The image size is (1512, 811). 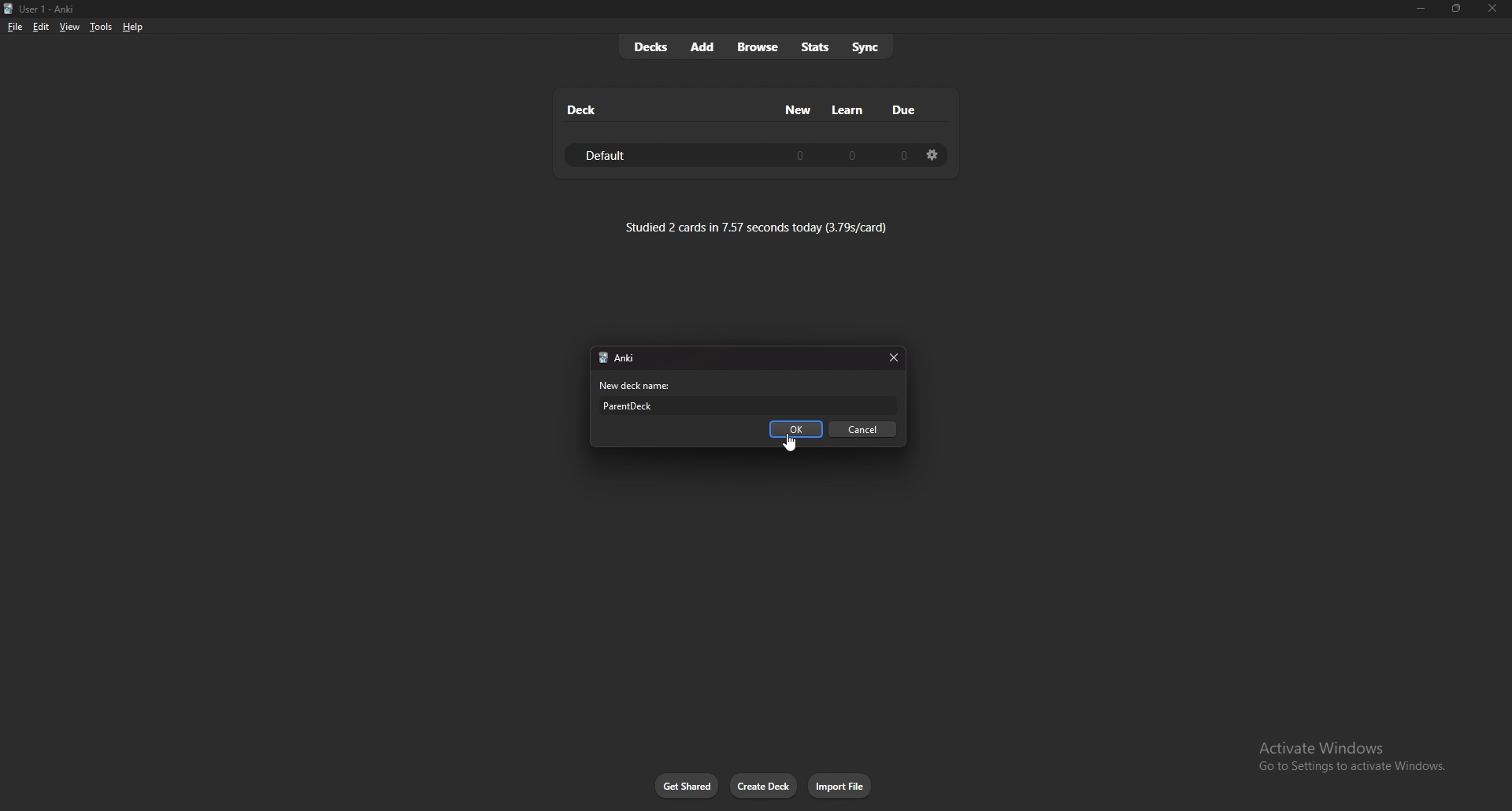 I want to click on learn, so click(x=848, y=110).